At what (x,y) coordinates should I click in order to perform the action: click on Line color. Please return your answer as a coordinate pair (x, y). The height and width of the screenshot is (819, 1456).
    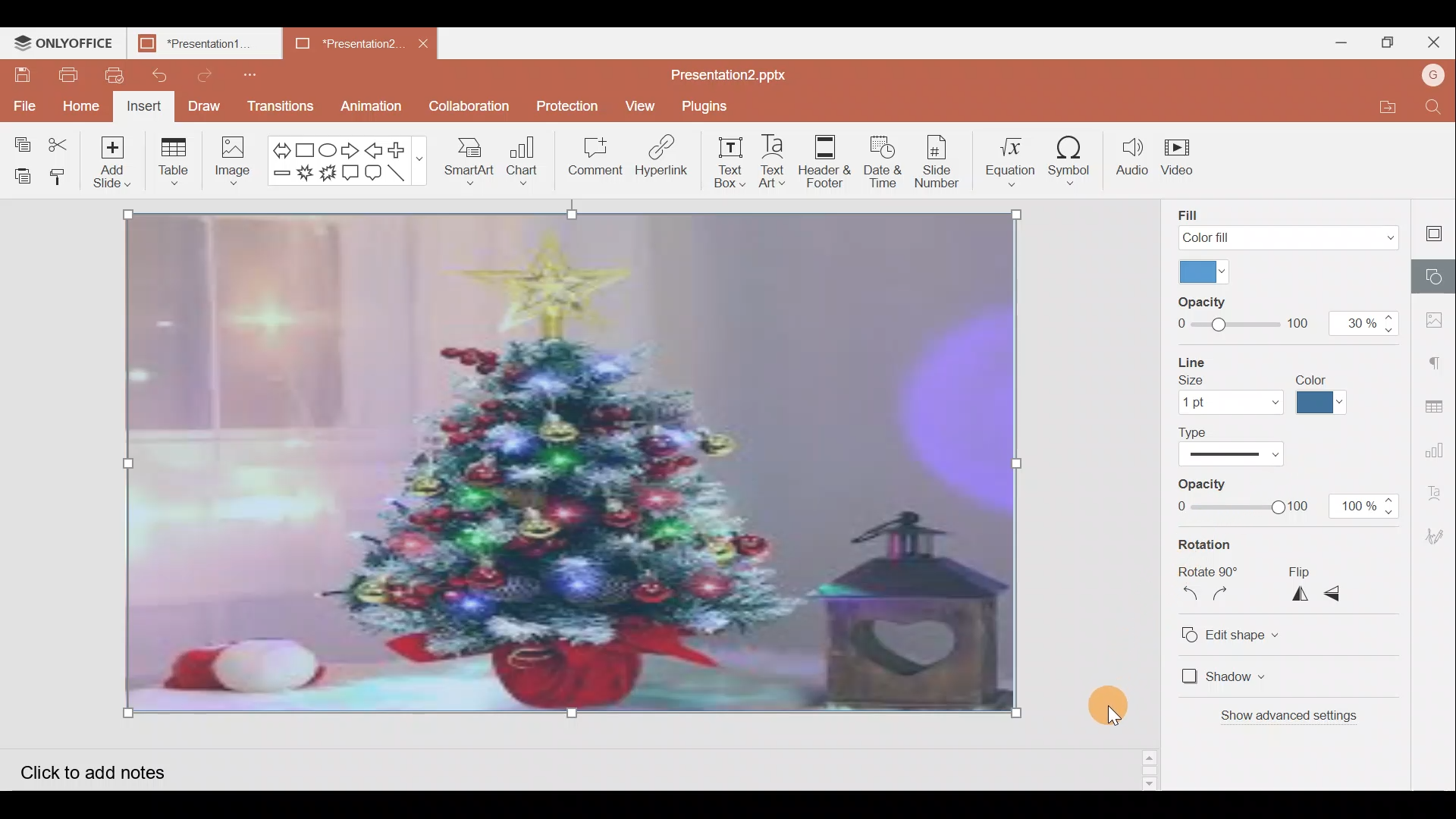
    Looking at the image, I should click on (1325, 393).